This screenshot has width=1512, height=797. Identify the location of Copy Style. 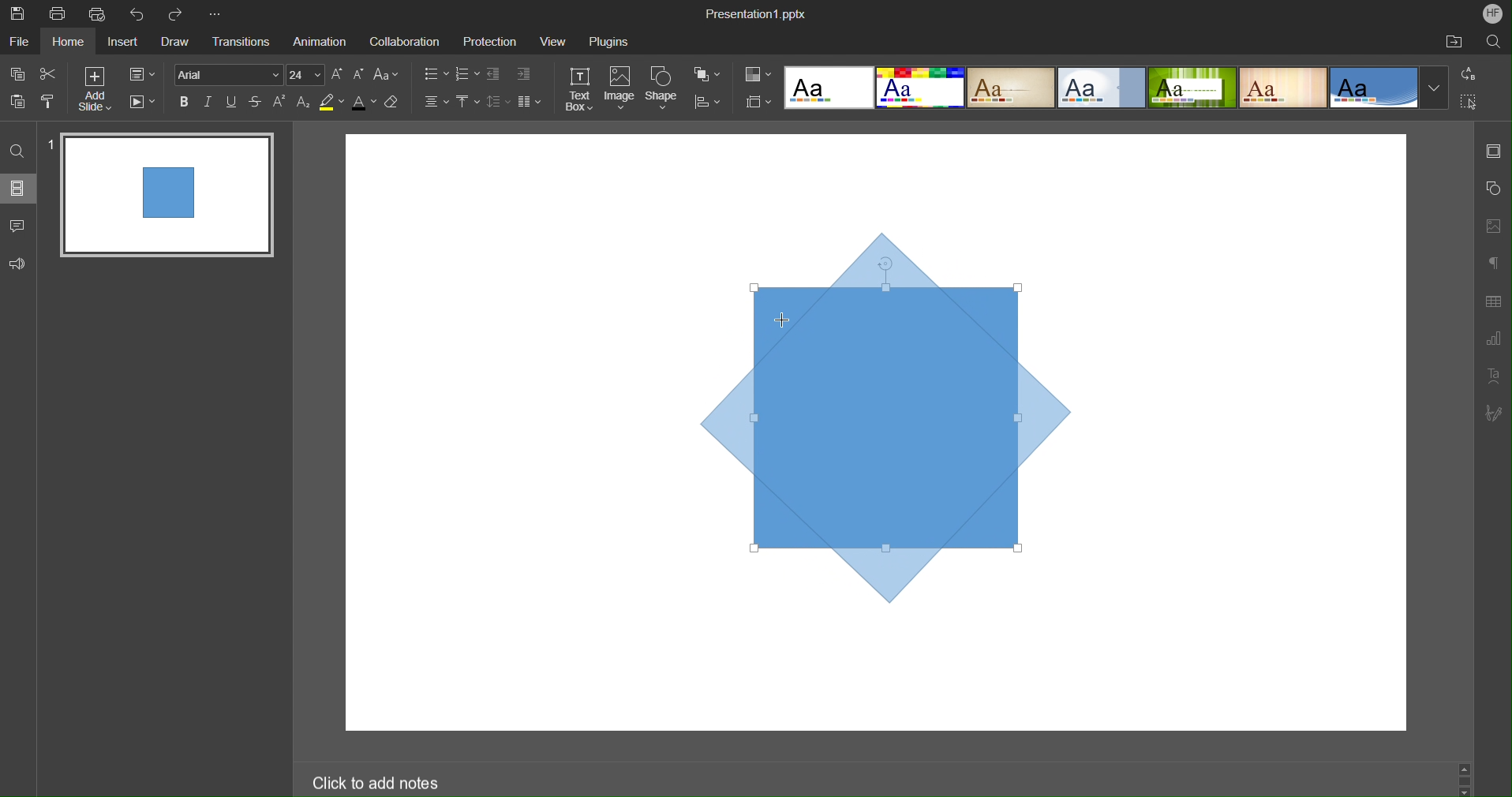
(47, 102).